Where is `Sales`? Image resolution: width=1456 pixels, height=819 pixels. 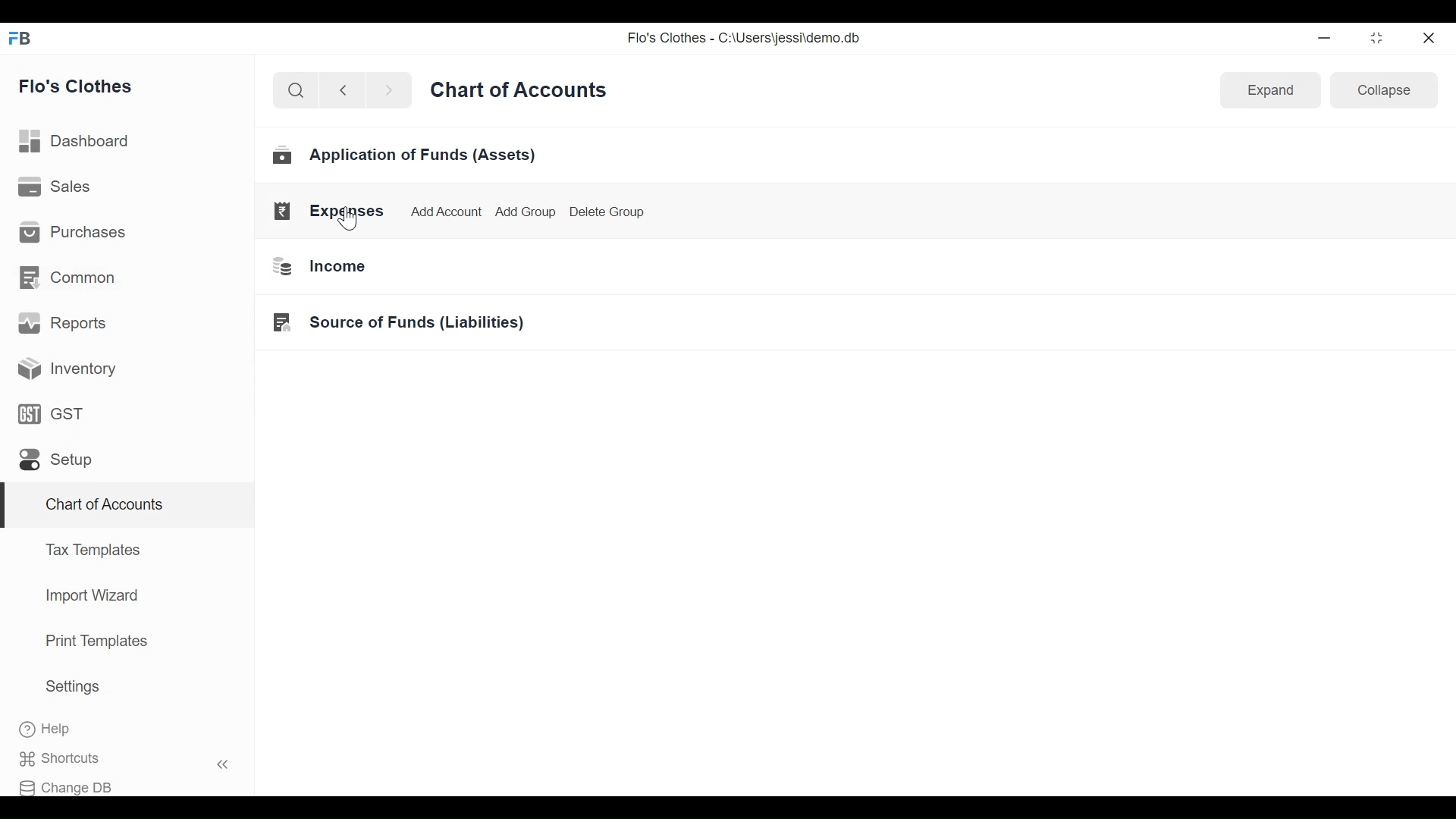 Sales is located at coordinates (56, 188).